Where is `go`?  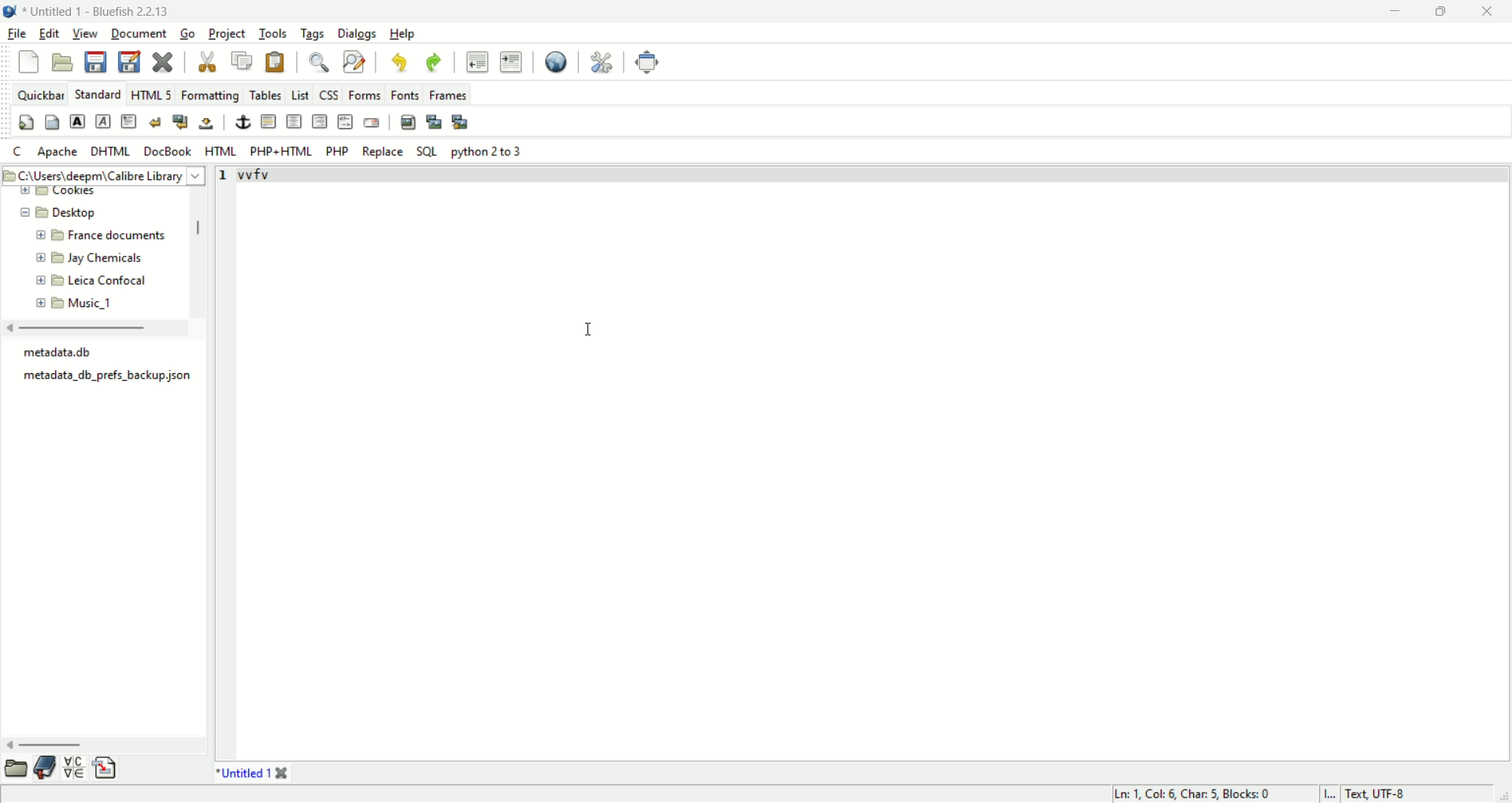
go is located at coordinates (187, 33).